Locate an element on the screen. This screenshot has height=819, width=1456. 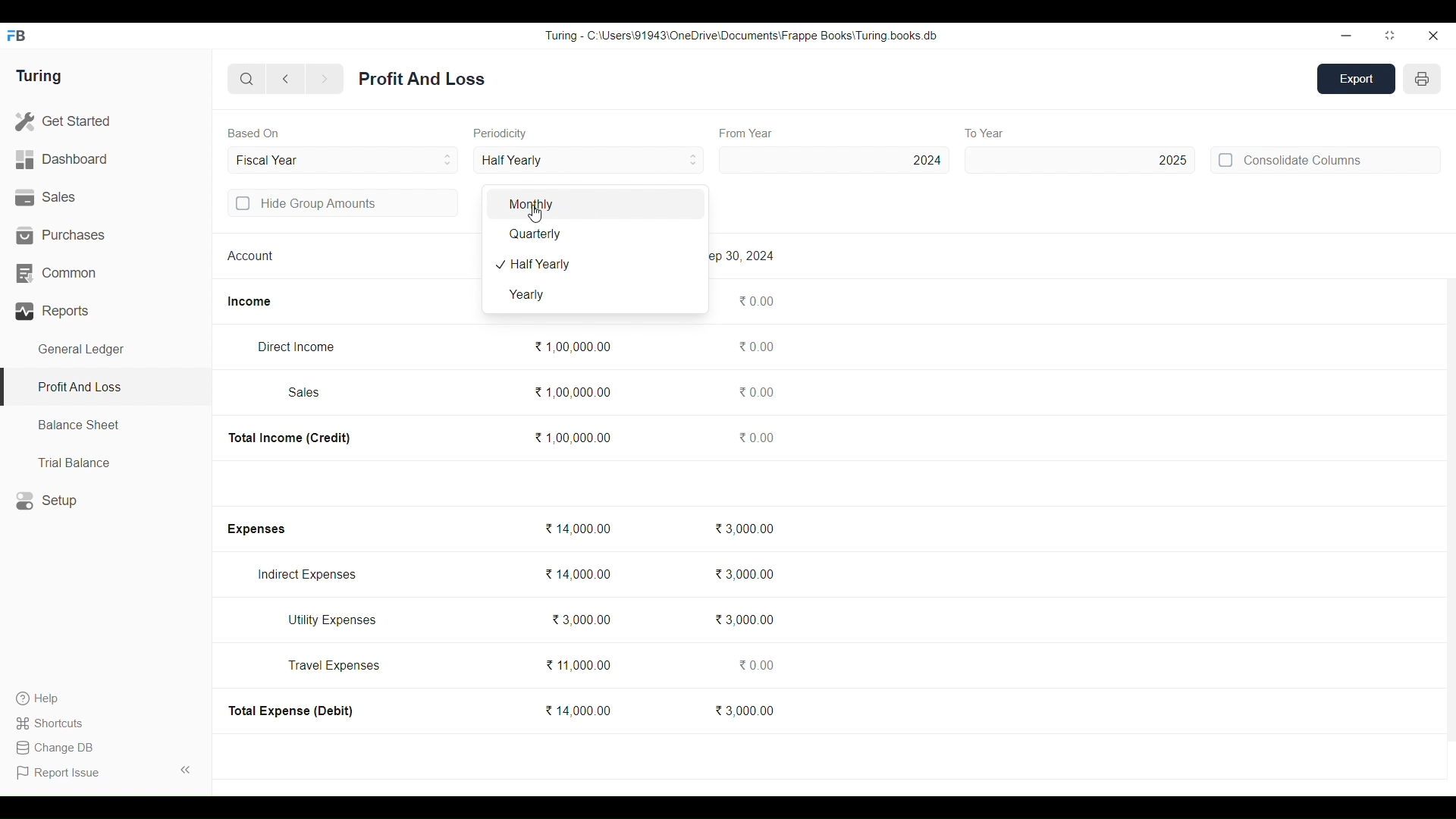
Until Date is located at coordinates (344, 160).